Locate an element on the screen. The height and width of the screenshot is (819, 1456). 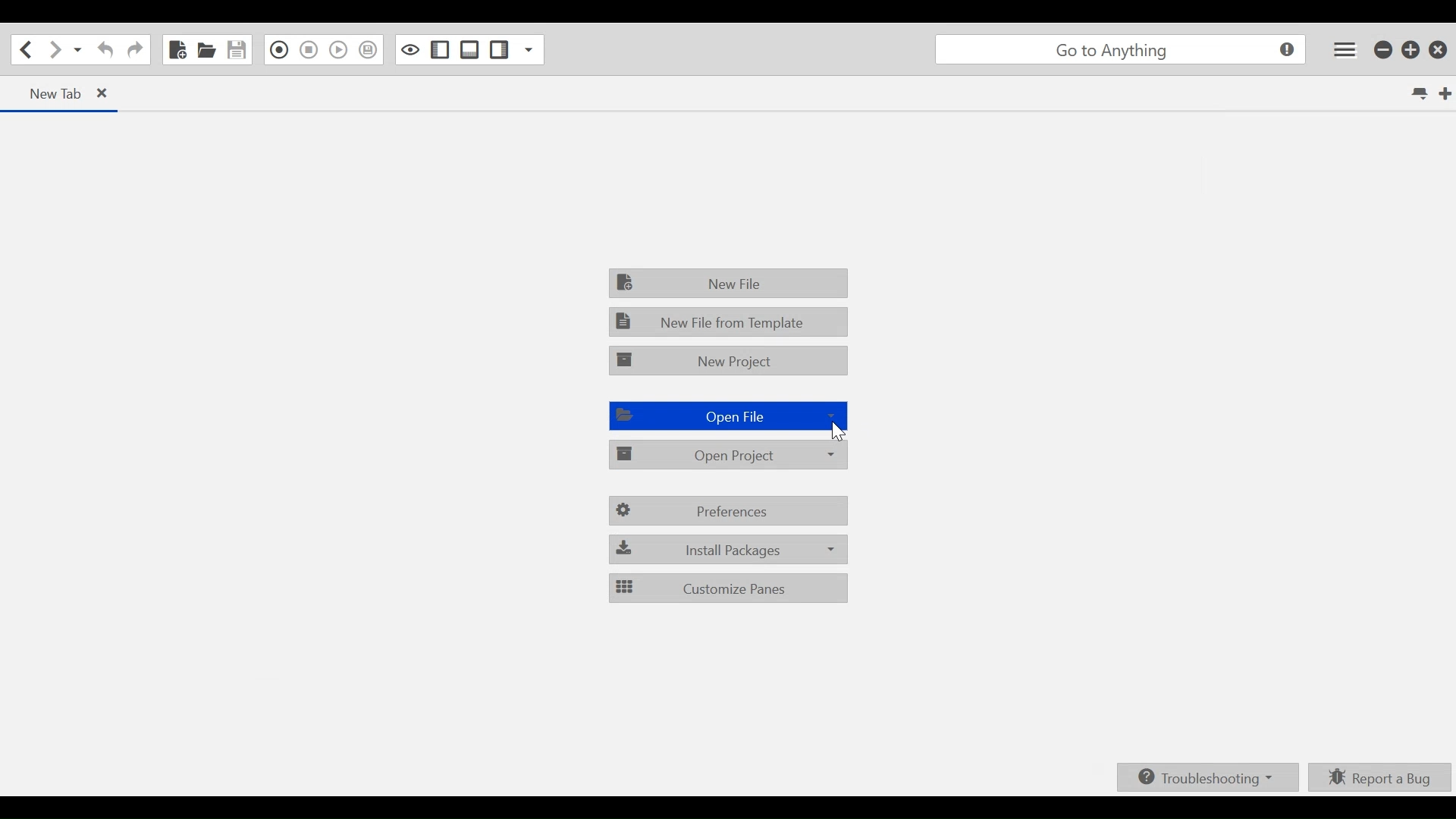
Toggle Focus mode is located at coordinates (410, 49).